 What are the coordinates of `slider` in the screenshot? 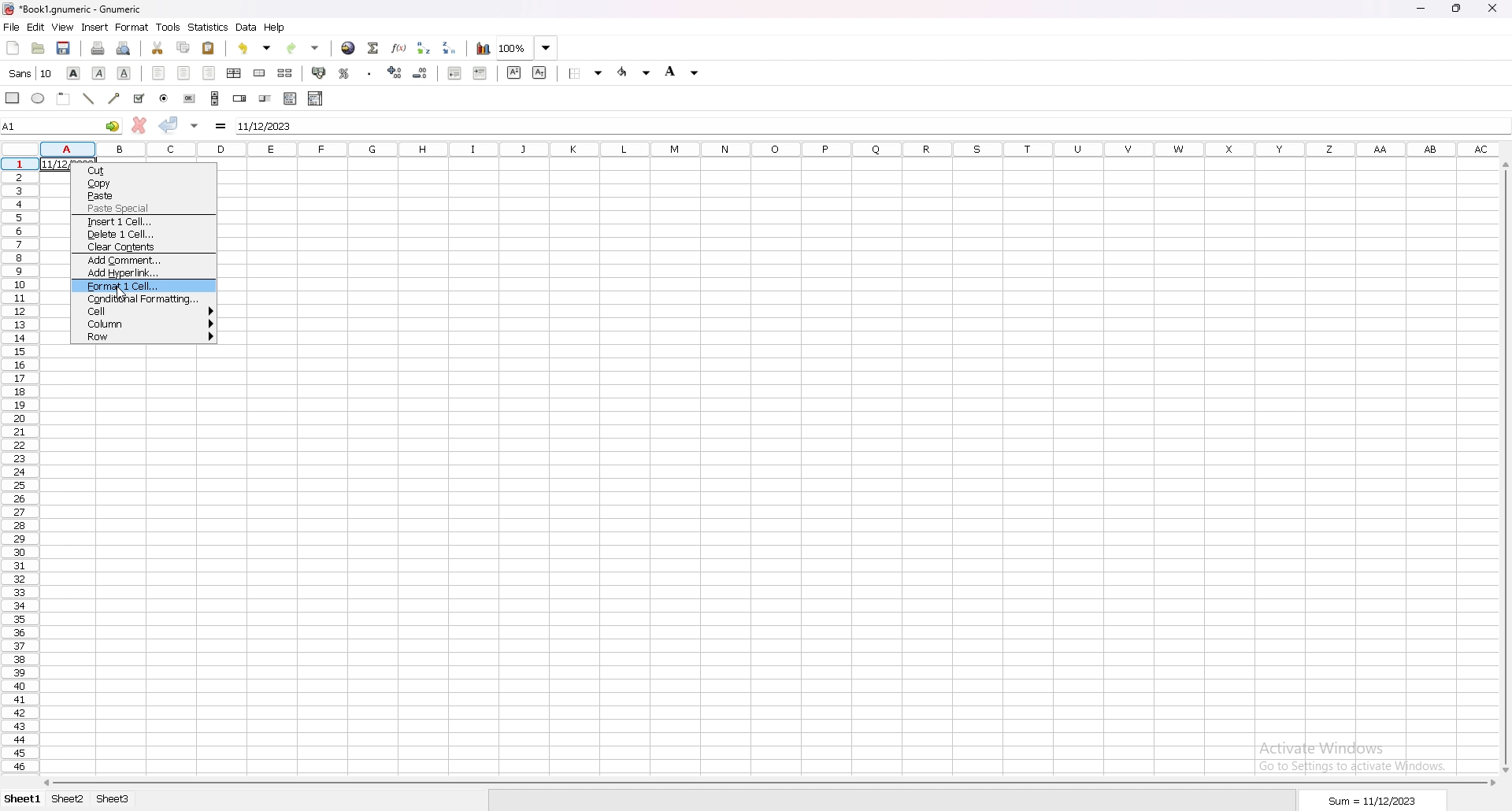 It's located at (264, 99).